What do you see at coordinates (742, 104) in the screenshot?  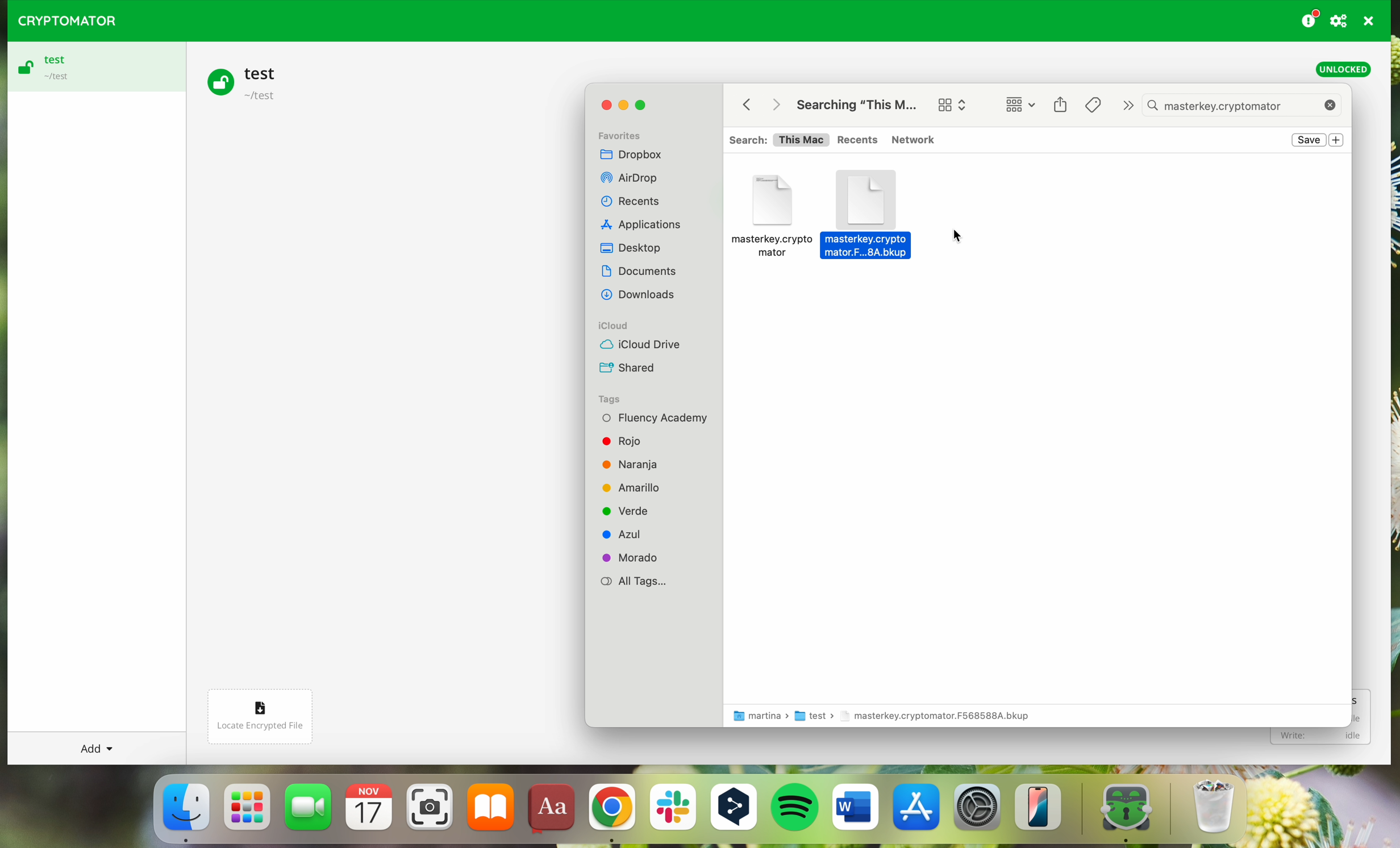 I see `back` at bounding box center [742, 104].